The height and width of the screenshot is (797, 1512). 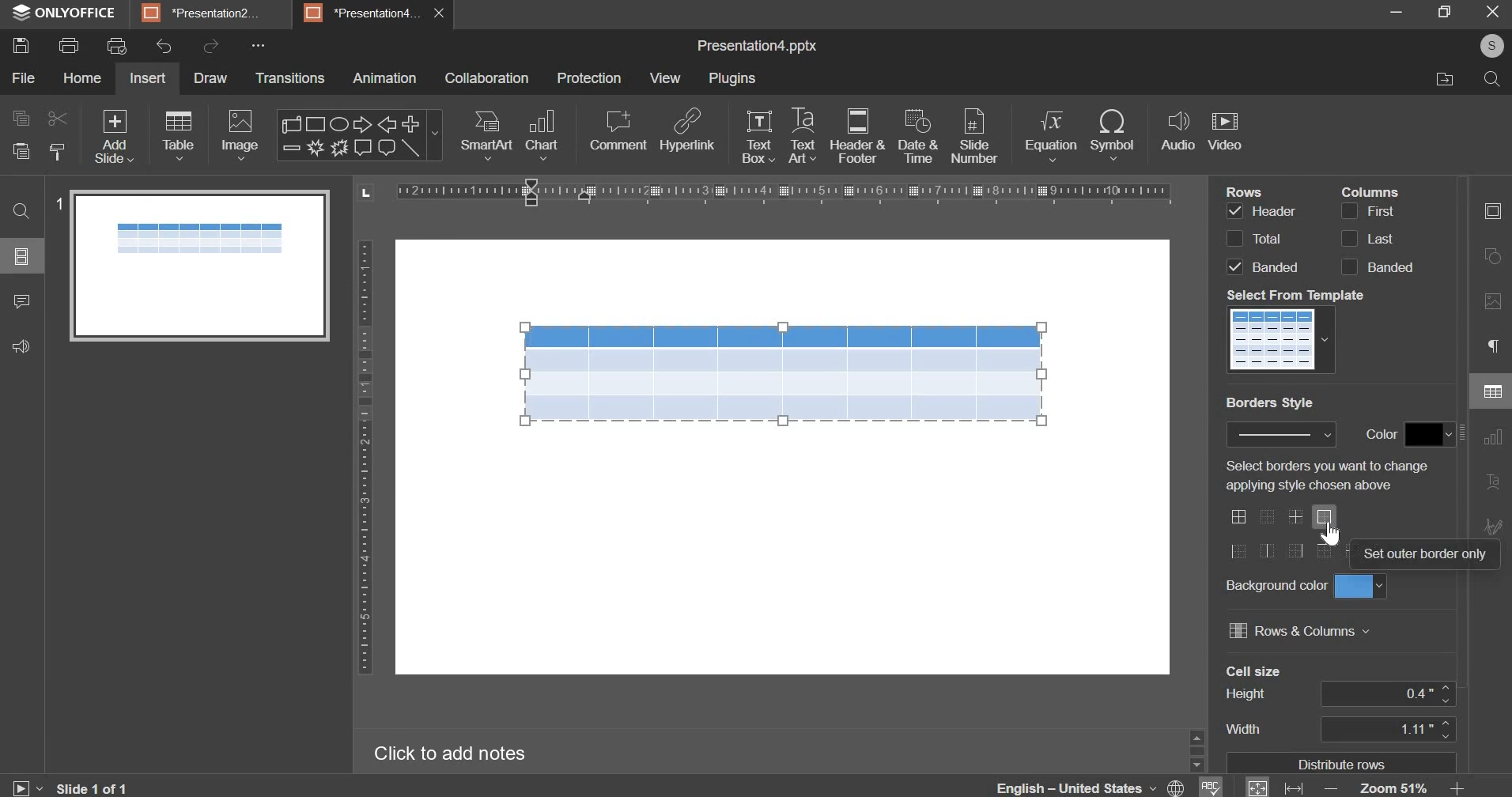 I want to click on banded, so click(x=1274, y=266).